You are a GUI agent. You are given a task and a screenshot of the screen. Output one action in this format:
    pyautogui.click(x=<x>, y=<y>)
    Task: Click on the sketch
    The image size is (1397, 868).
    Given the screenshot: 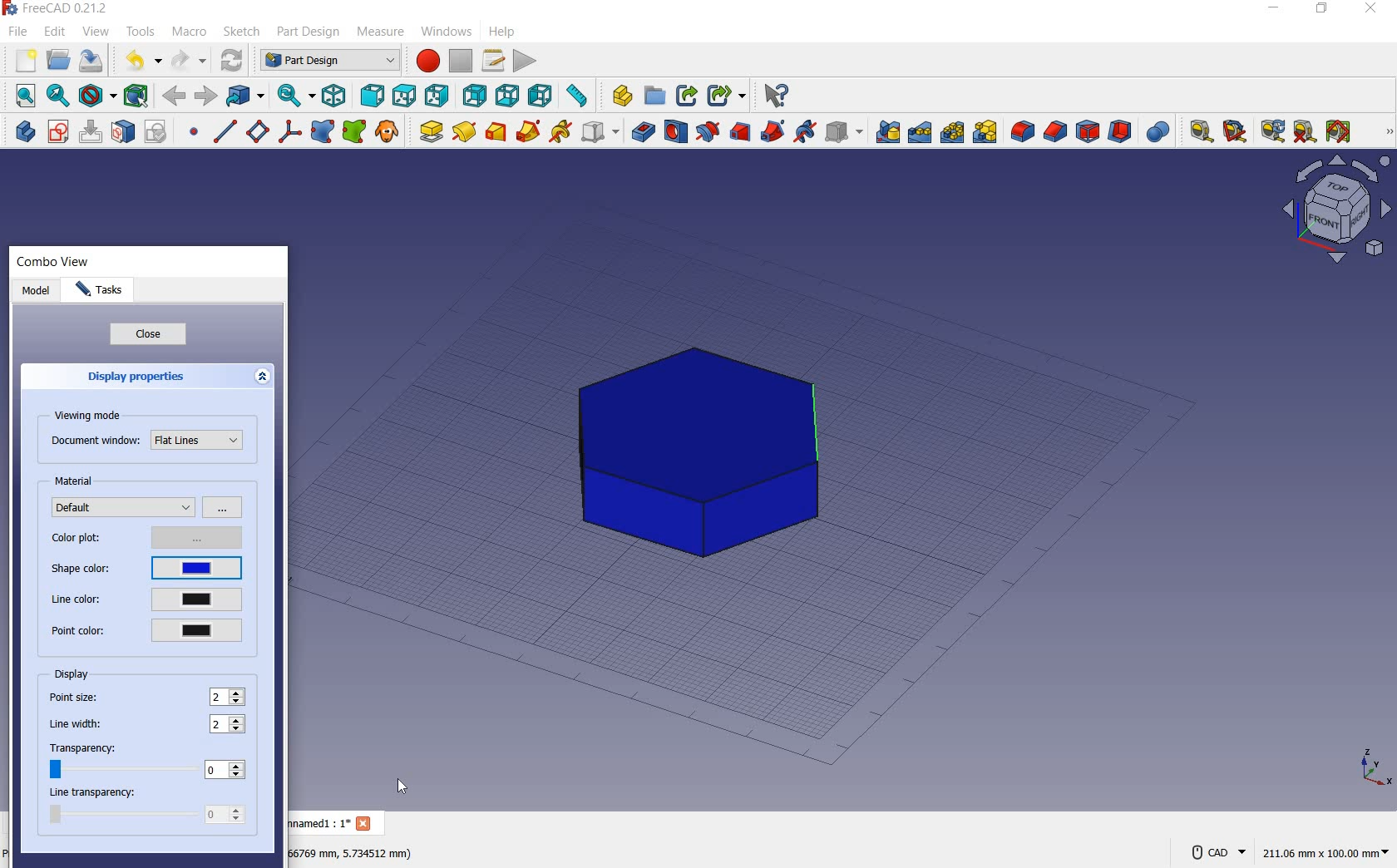 What is the action you would take?
    pyautogui.click(x=240, y=32)
    